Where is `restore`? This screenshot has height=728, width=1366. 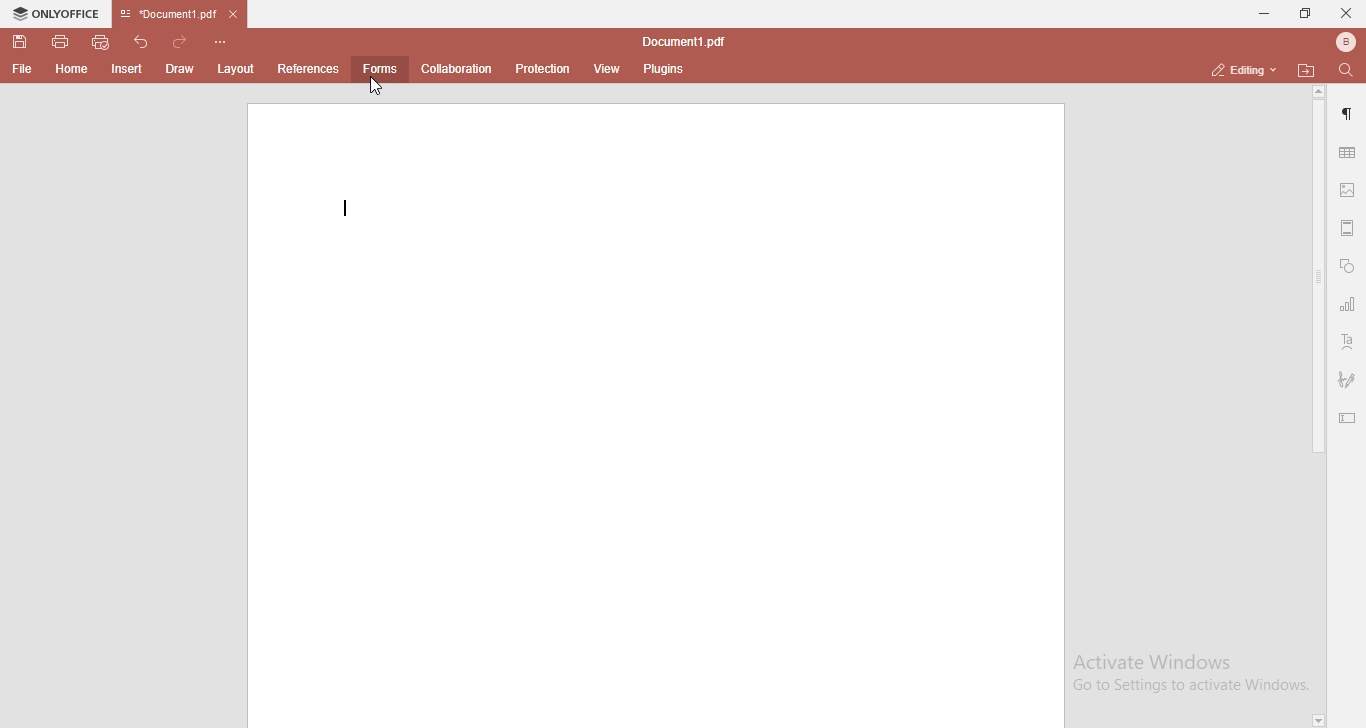 restore is located at coordinates (1304, 14).